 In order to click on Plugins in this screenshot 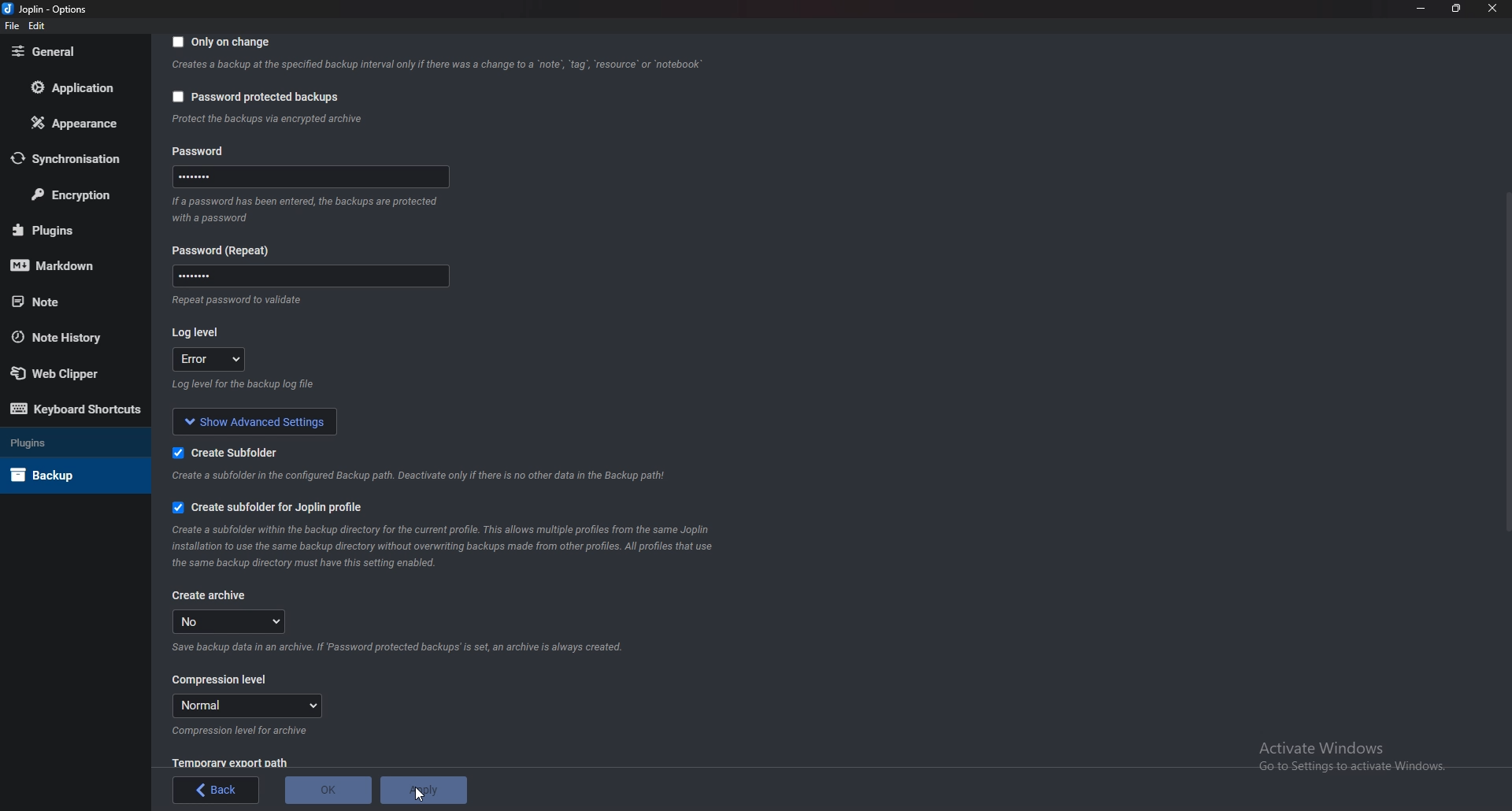, I will do `click(67, 444)`.